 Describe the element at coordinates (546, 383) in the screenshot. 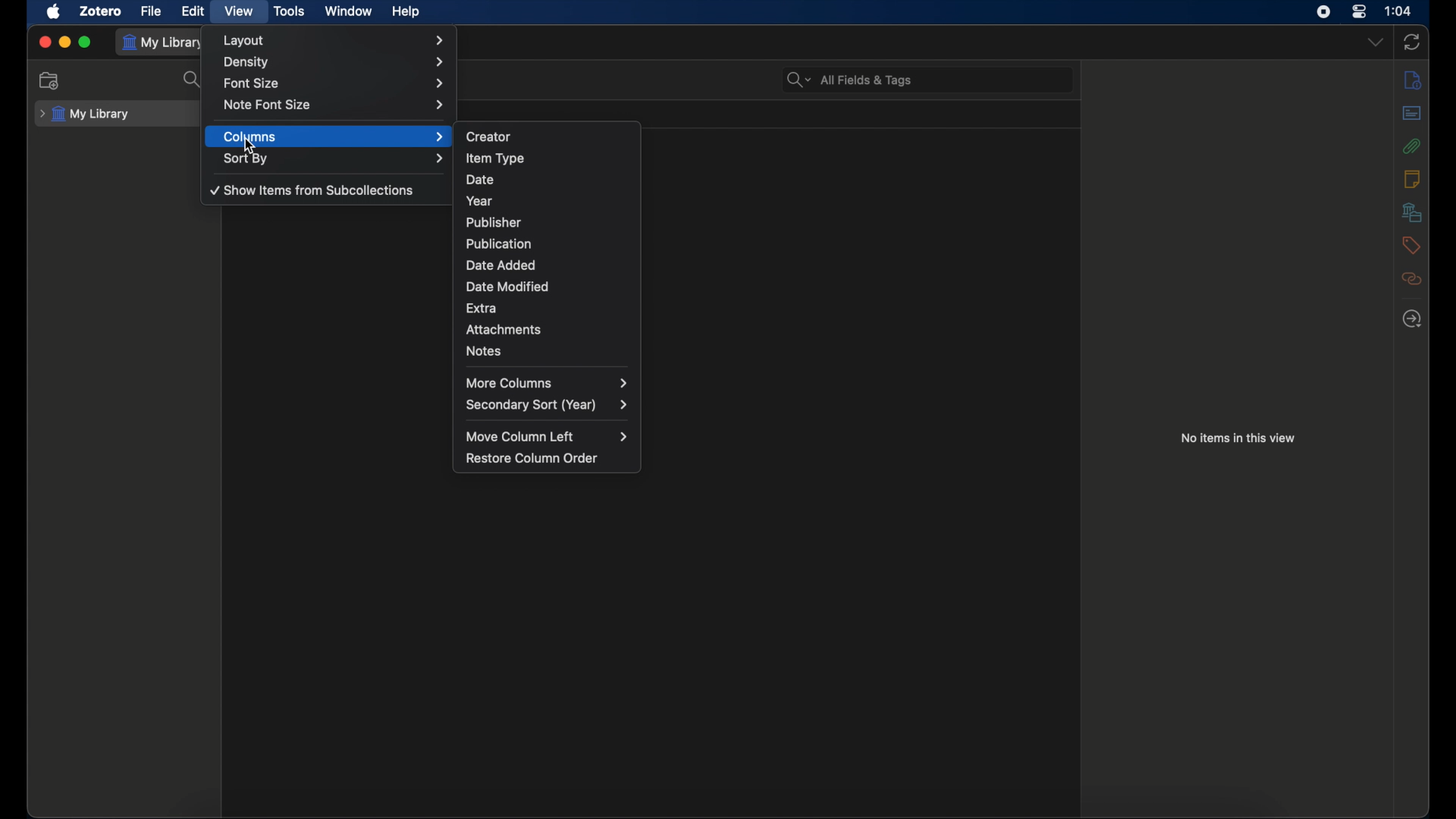

I see `more columns` at that location.